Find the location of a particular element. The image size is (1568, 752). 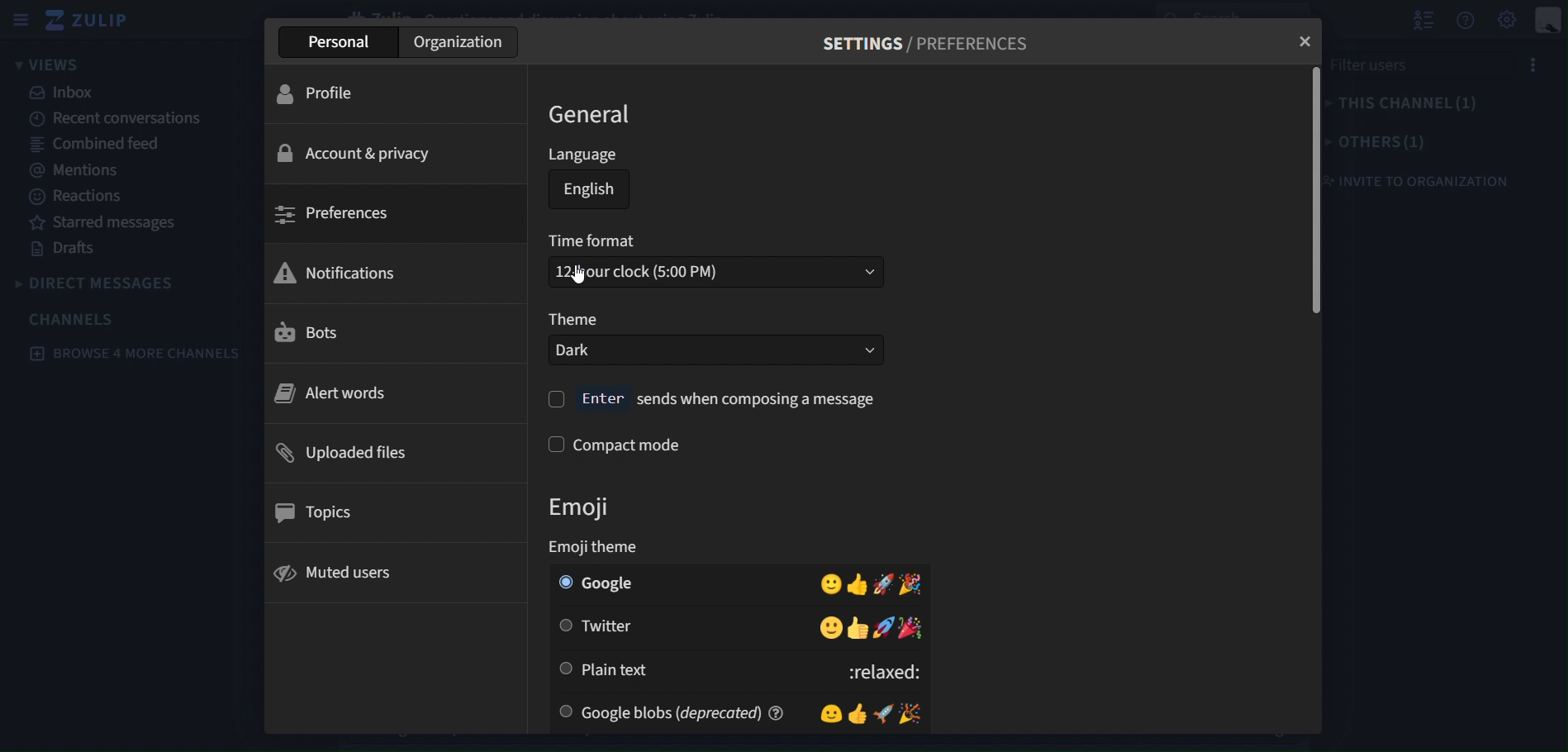

language is located at coordinates (587, 154).